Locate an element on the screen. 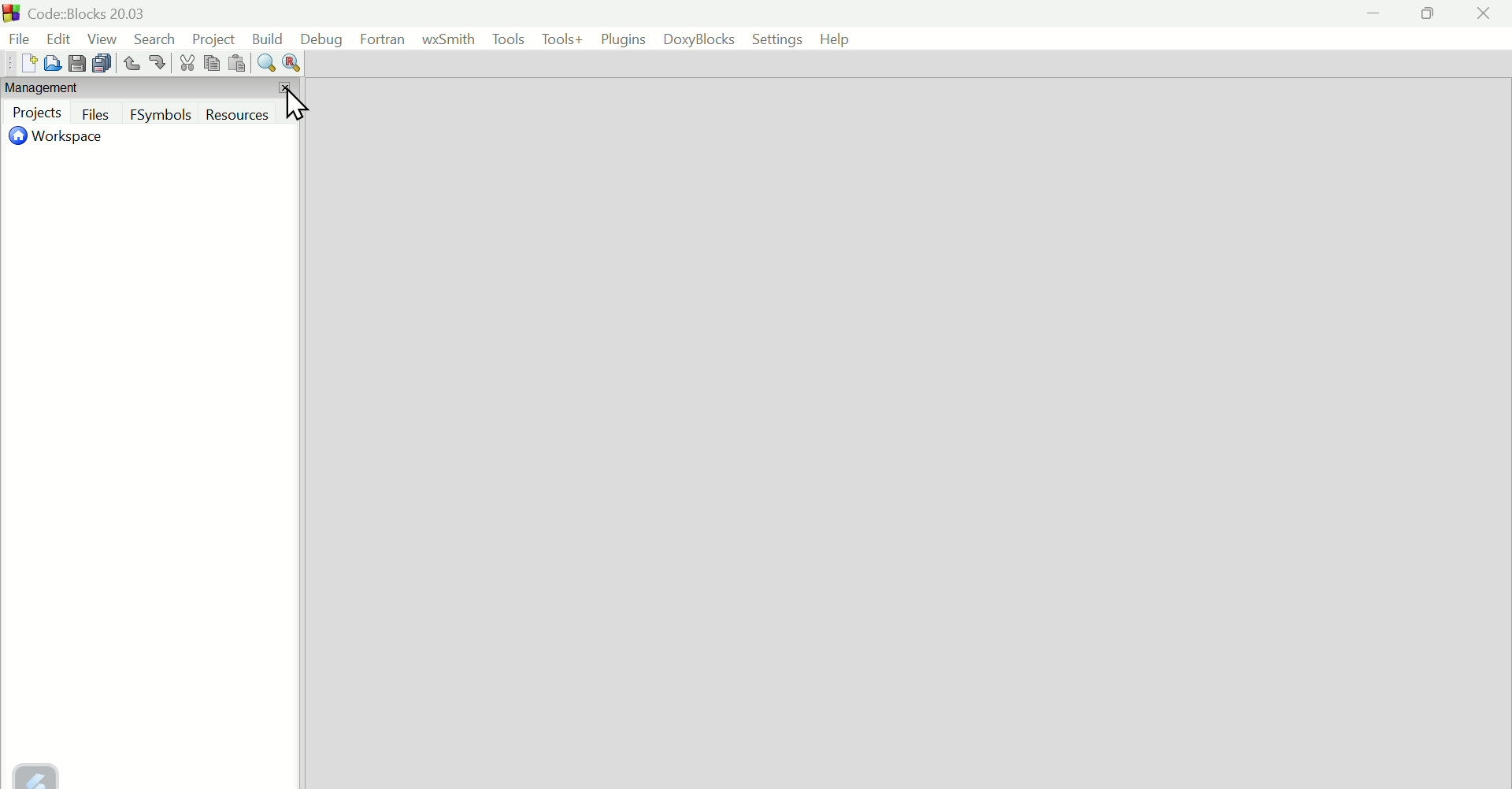  Search is located at coordinates (157, 39).